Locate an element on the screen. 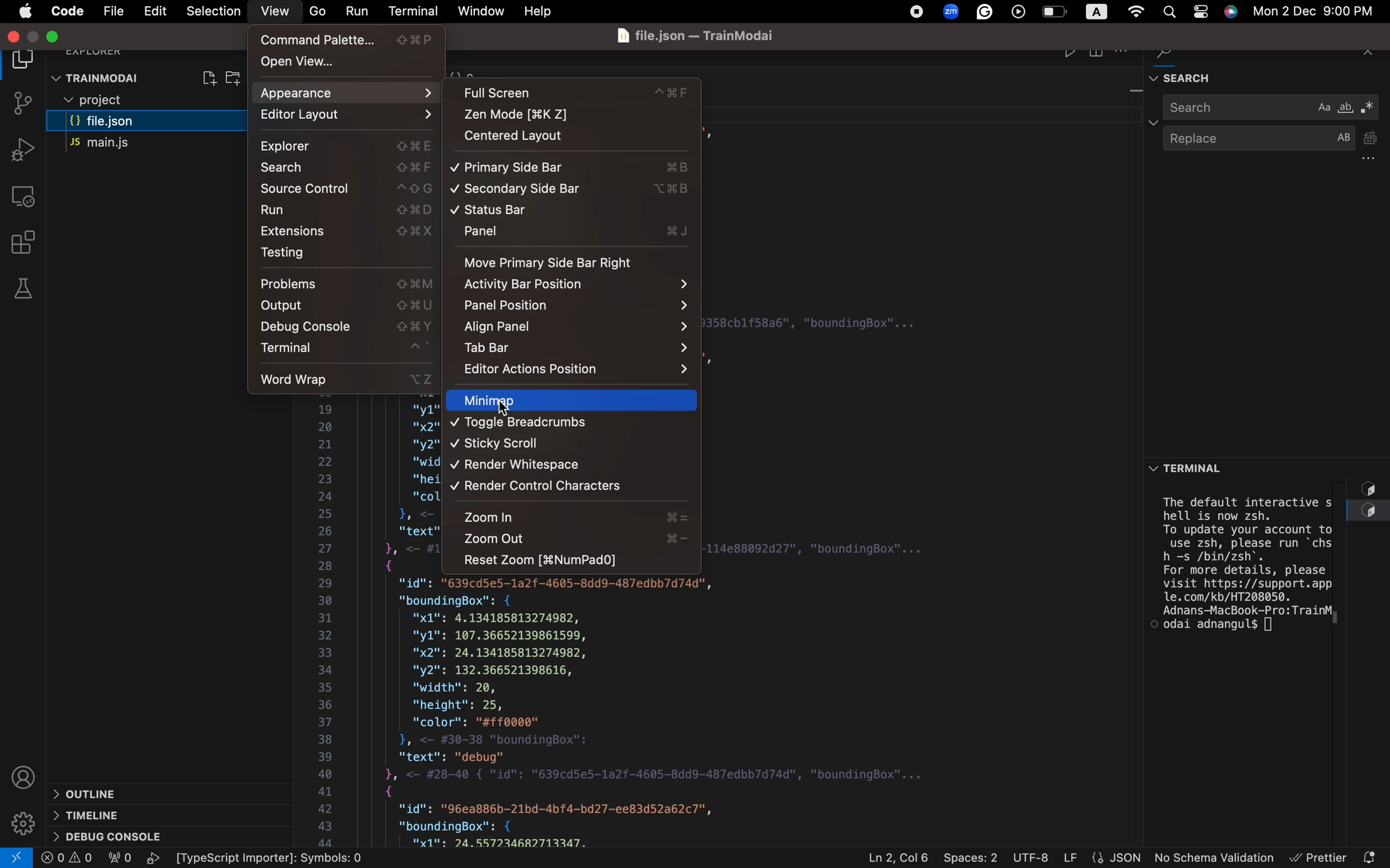 The width and height of the screenshot is (1390, 868).  is located at coordinates (572, 441).